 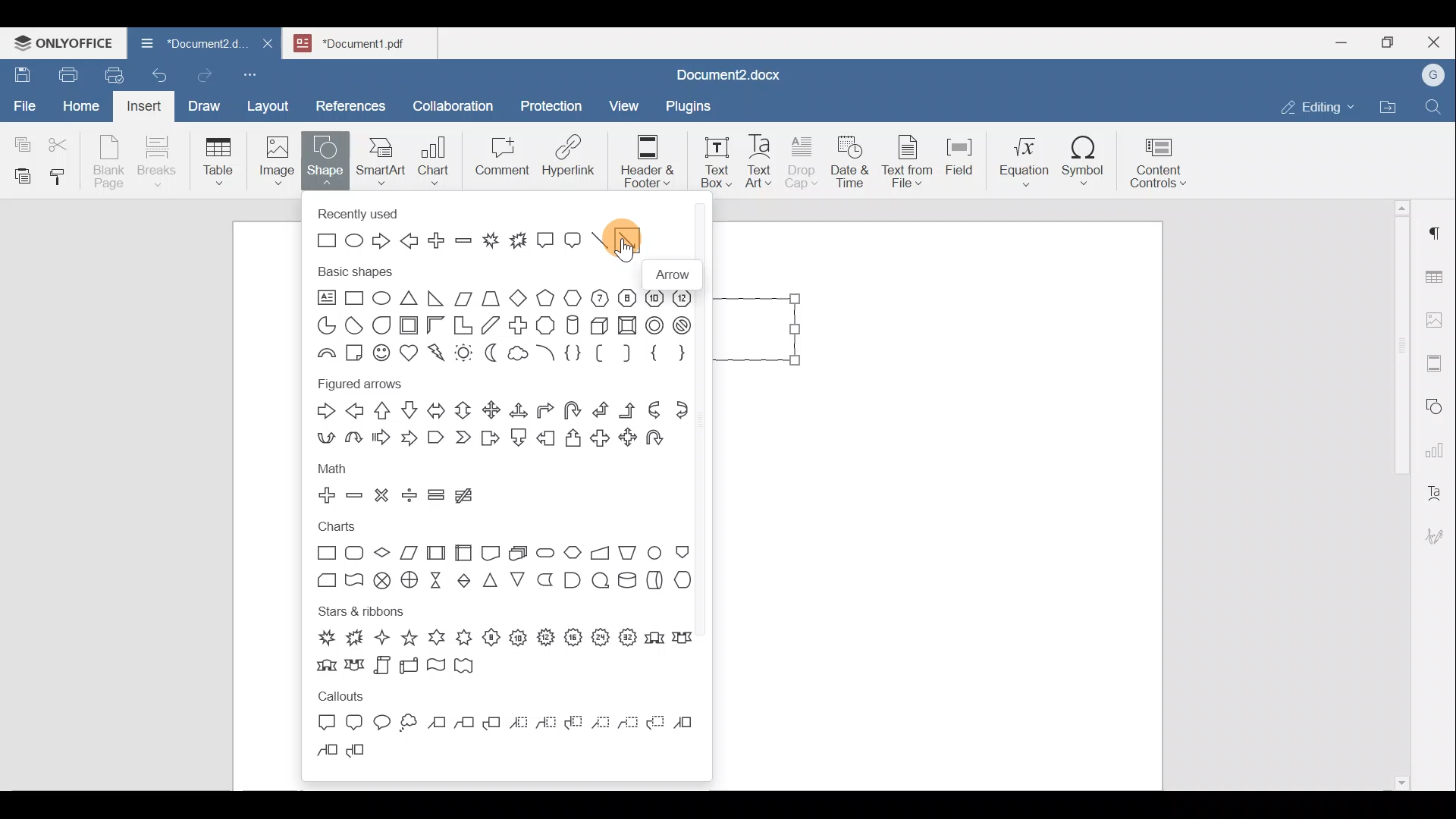 What do you see at coordinates (725, 77) in the screenshot?
I see `Document name` at bounding box center [725, 77].